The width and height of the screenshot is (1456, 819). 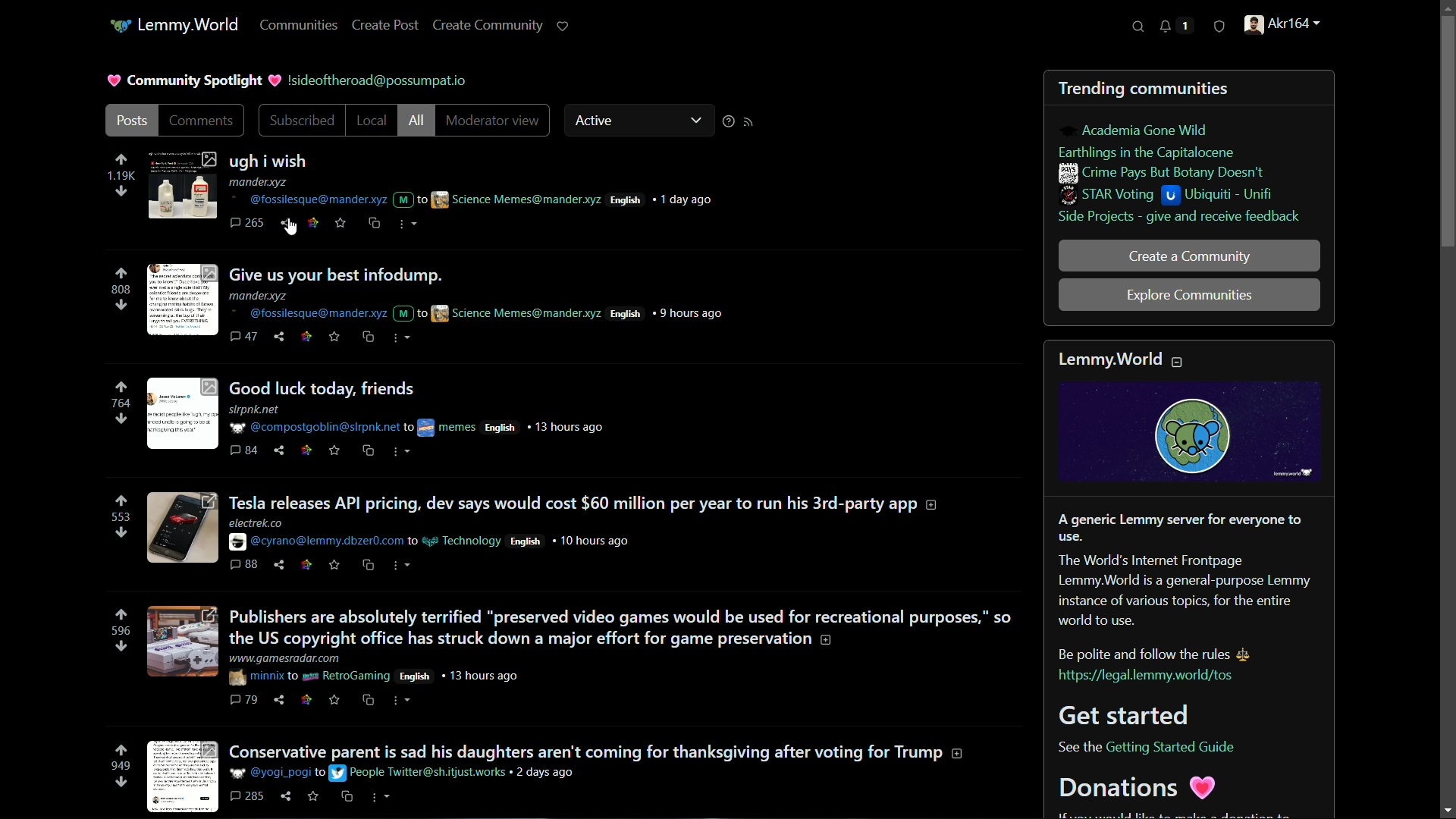 I want to click on @cyrano@lemmy.dbzer0.com, so click(x=315, y=542).